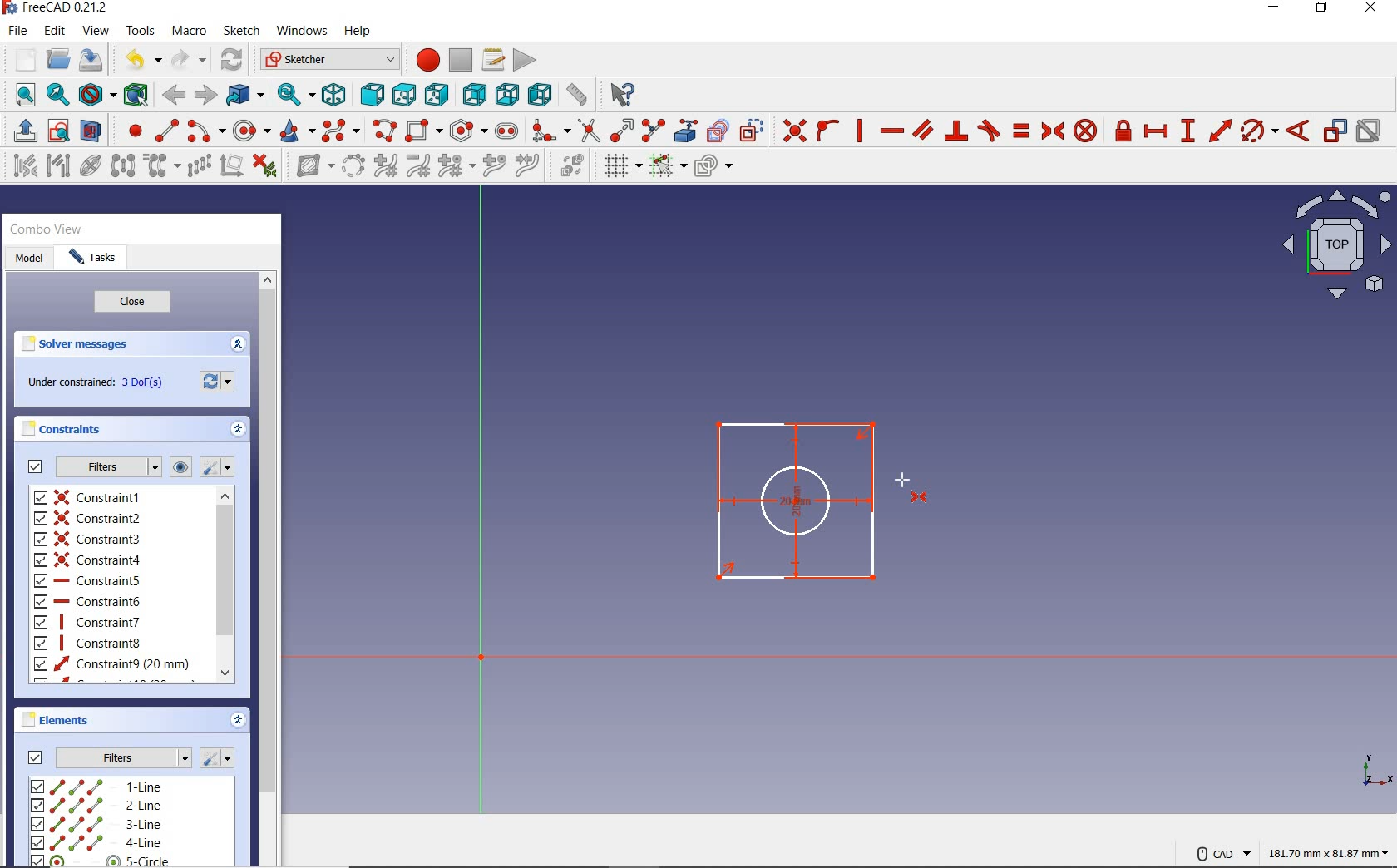  Describe the element at coordinates (221, 384) in the screenshot. I see `forces recomputation of active document` at that location.